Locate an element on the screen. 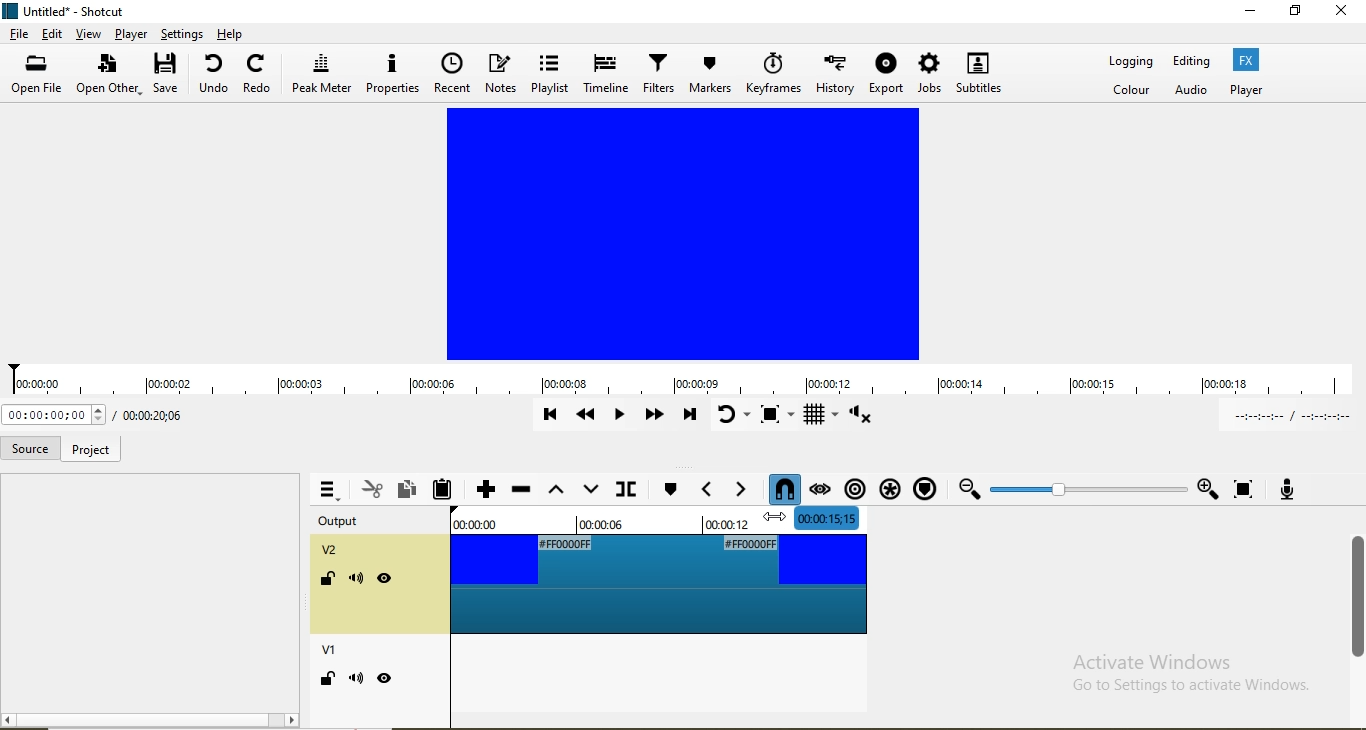 This screenshot has height=730, width=1366. video preview is located at coordinates (685, 234).